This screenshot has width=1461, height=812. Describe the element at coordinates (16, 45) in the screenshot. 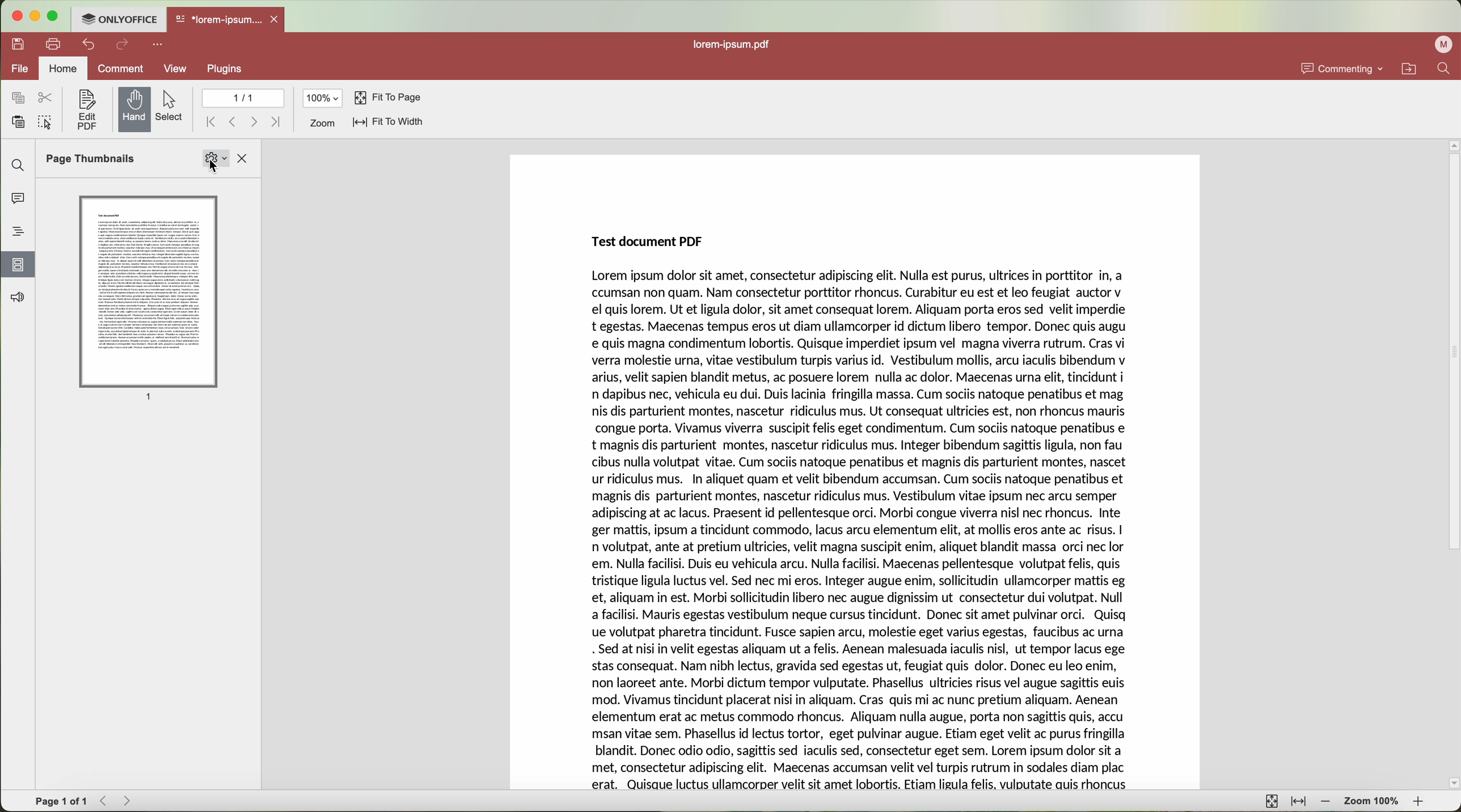

I see `save` at that location.